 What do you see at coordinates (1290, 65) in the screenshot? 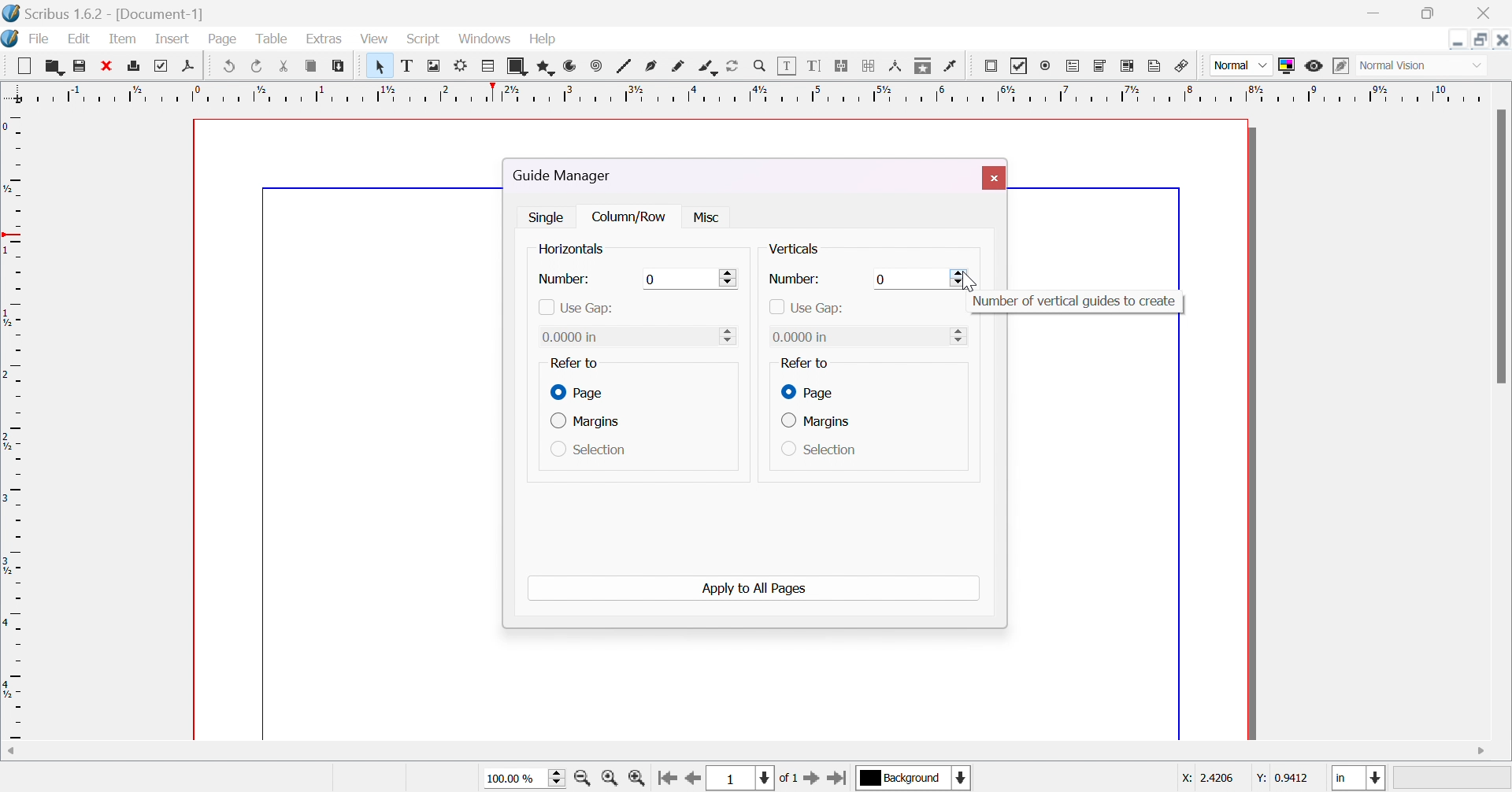
I see `toggle color management system` at bounding box center [1290, 65].